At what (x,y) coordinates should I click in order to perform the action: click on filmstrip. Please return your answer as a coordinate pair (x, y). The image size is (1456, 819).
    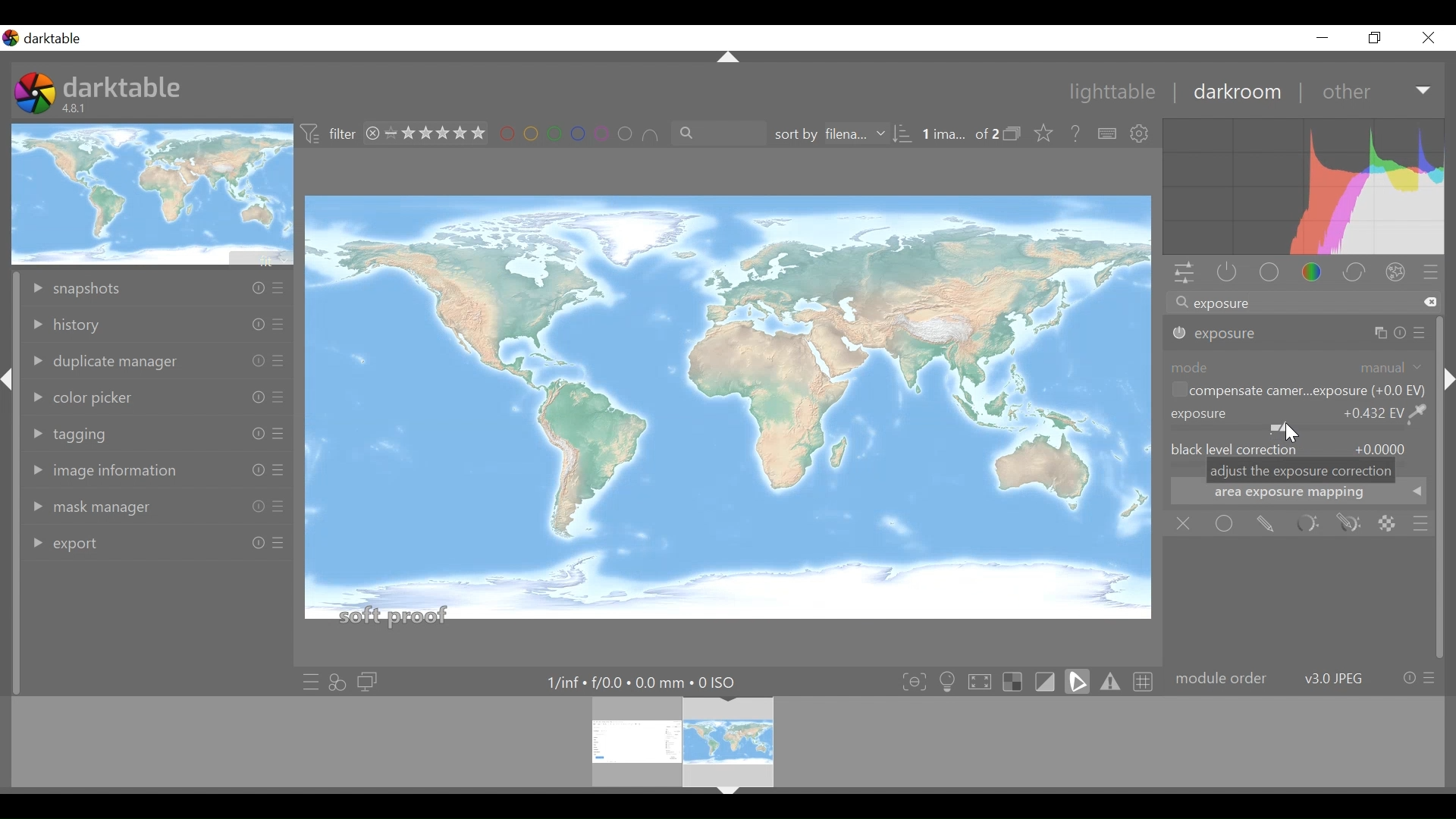
    Looking at the image, I should click on (723, 740).